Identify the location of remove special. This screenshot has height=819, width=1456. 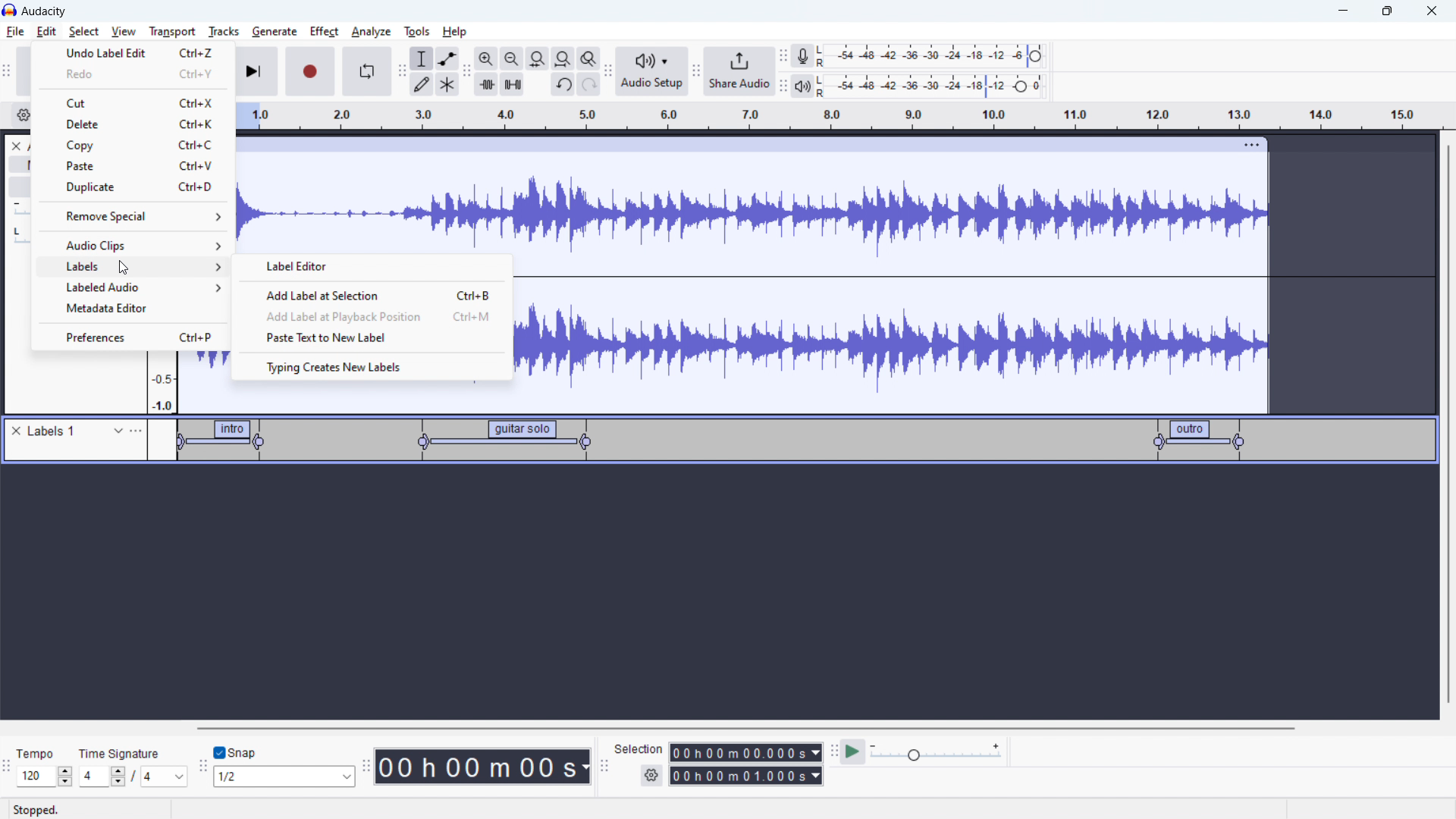
(132, 216).